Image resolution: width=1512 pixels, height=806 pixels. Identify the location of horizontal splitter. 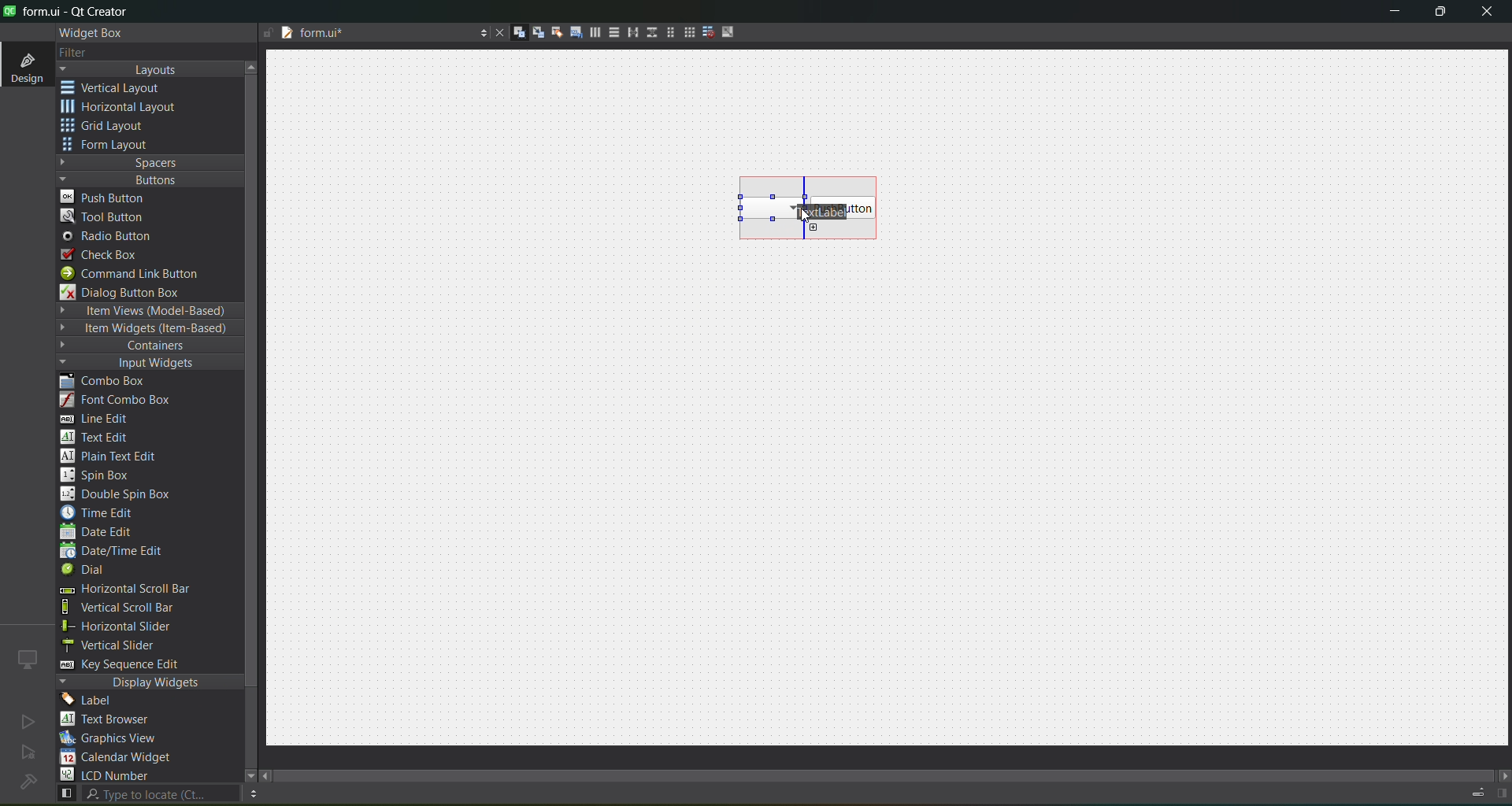
(628, 33).